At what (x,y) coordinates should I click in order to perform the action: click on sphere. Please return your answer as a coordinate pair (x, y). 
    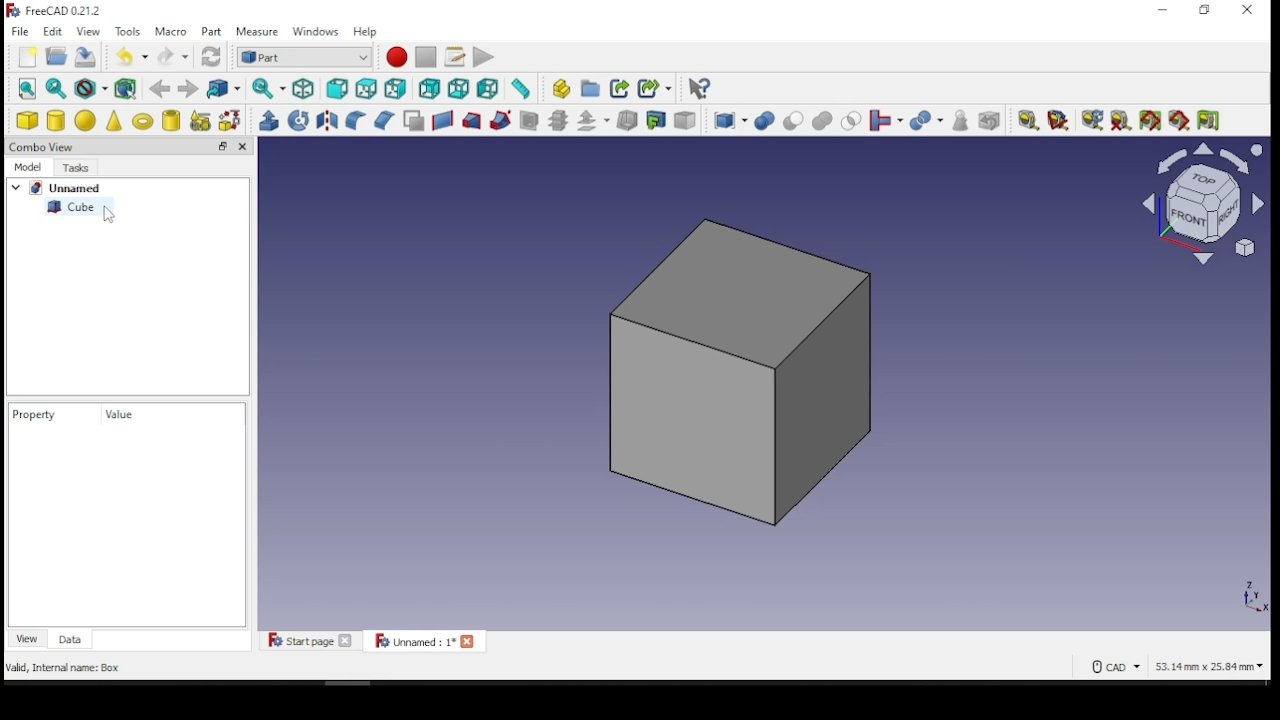
    Looking at the image, I should click on (86, 120).